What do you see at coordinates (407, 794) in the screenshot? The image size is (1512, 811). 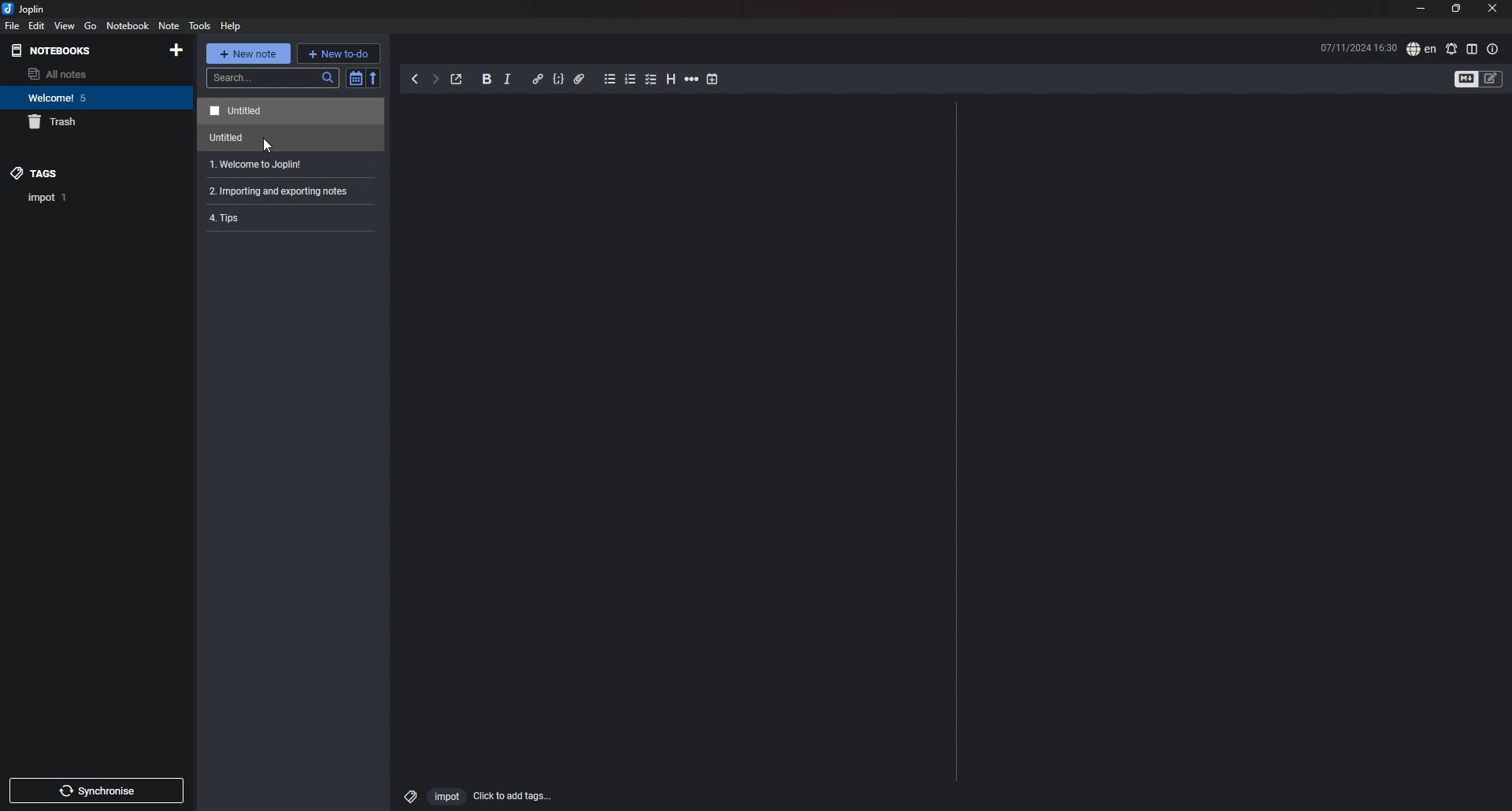 I see `tag` at bounding box center [407, 794].